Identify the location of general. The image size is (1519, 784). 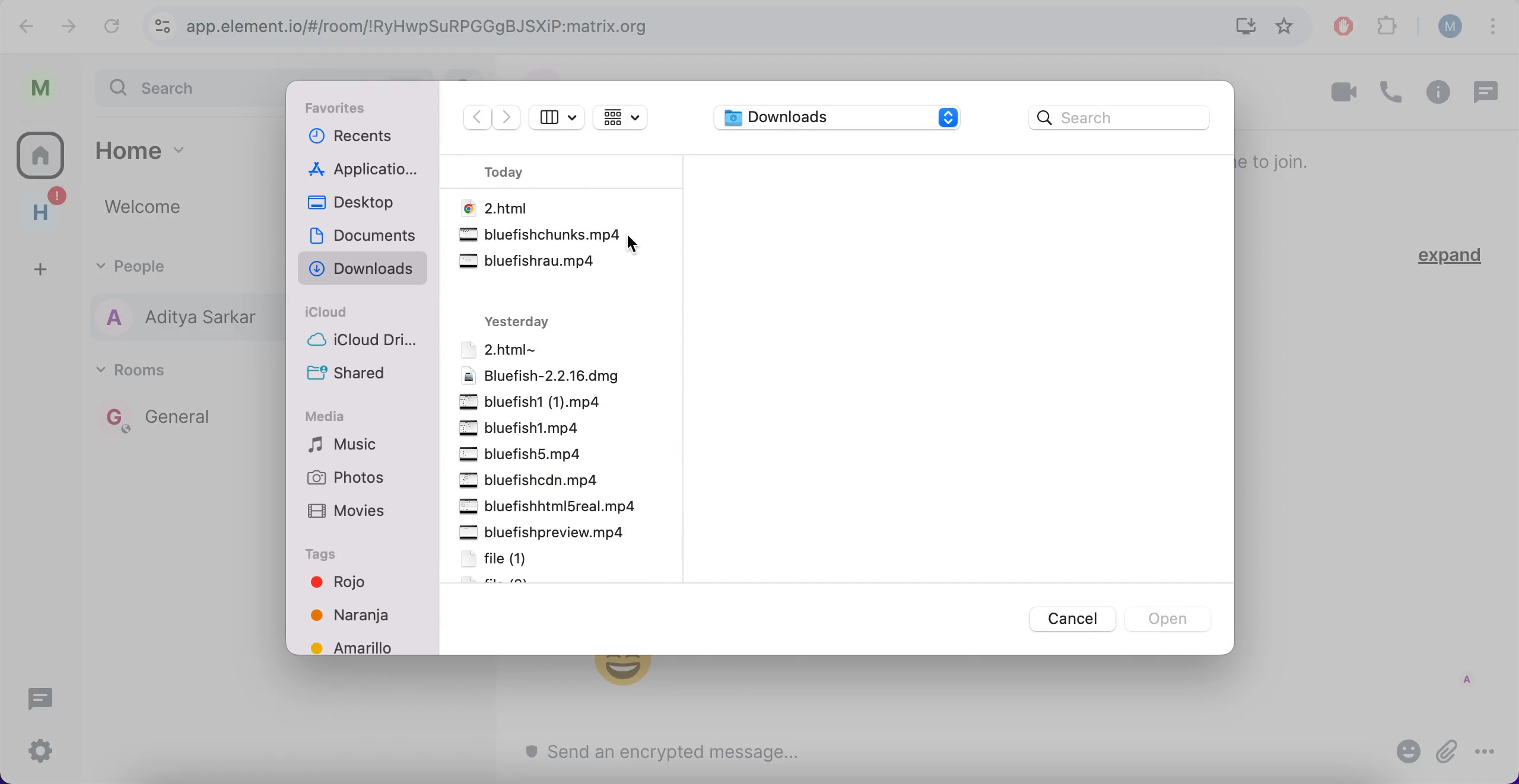
(182, 422).